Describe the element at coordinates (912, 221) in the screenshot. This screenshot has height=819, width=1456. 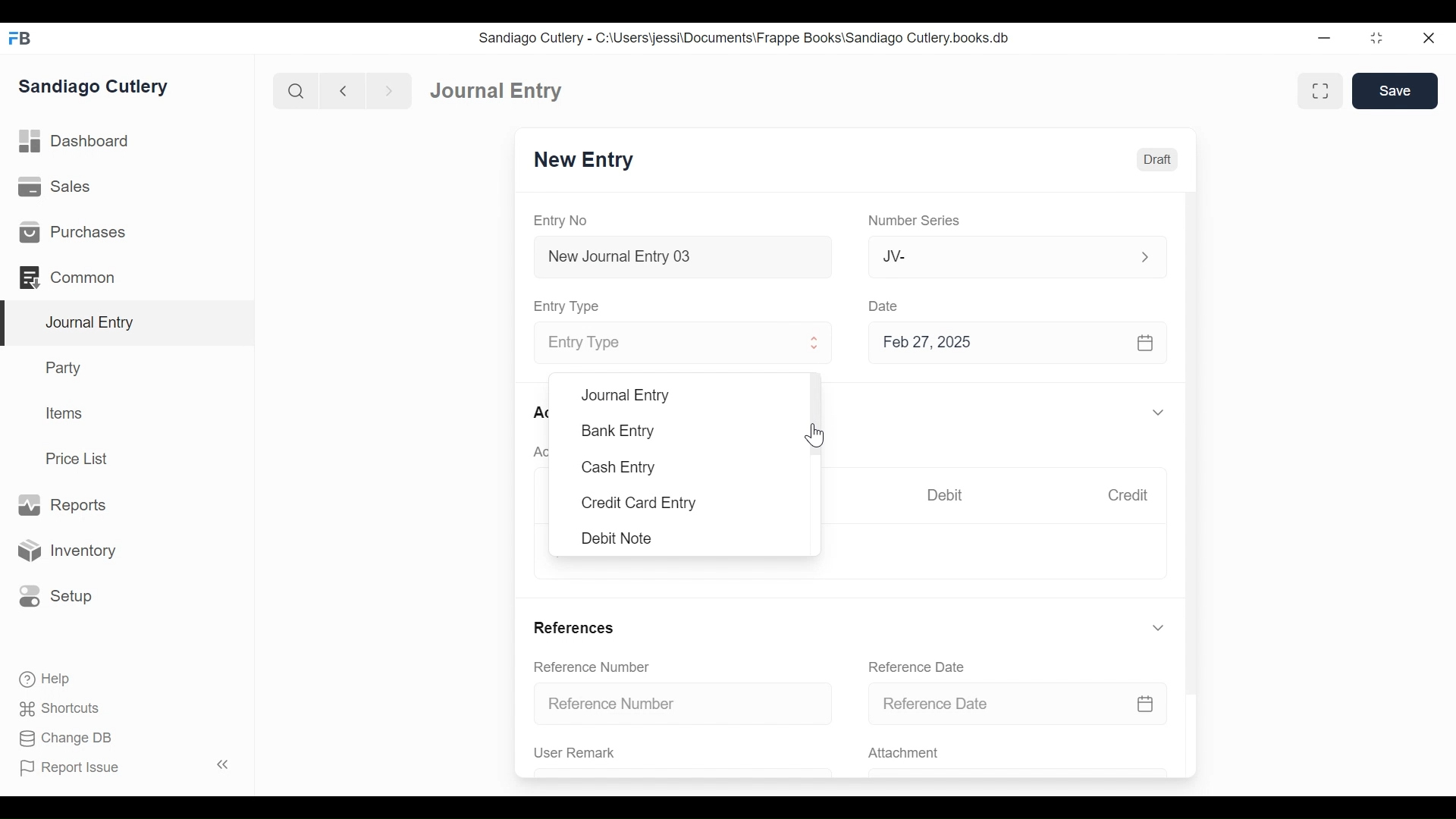
I see `Number Series` at that location.